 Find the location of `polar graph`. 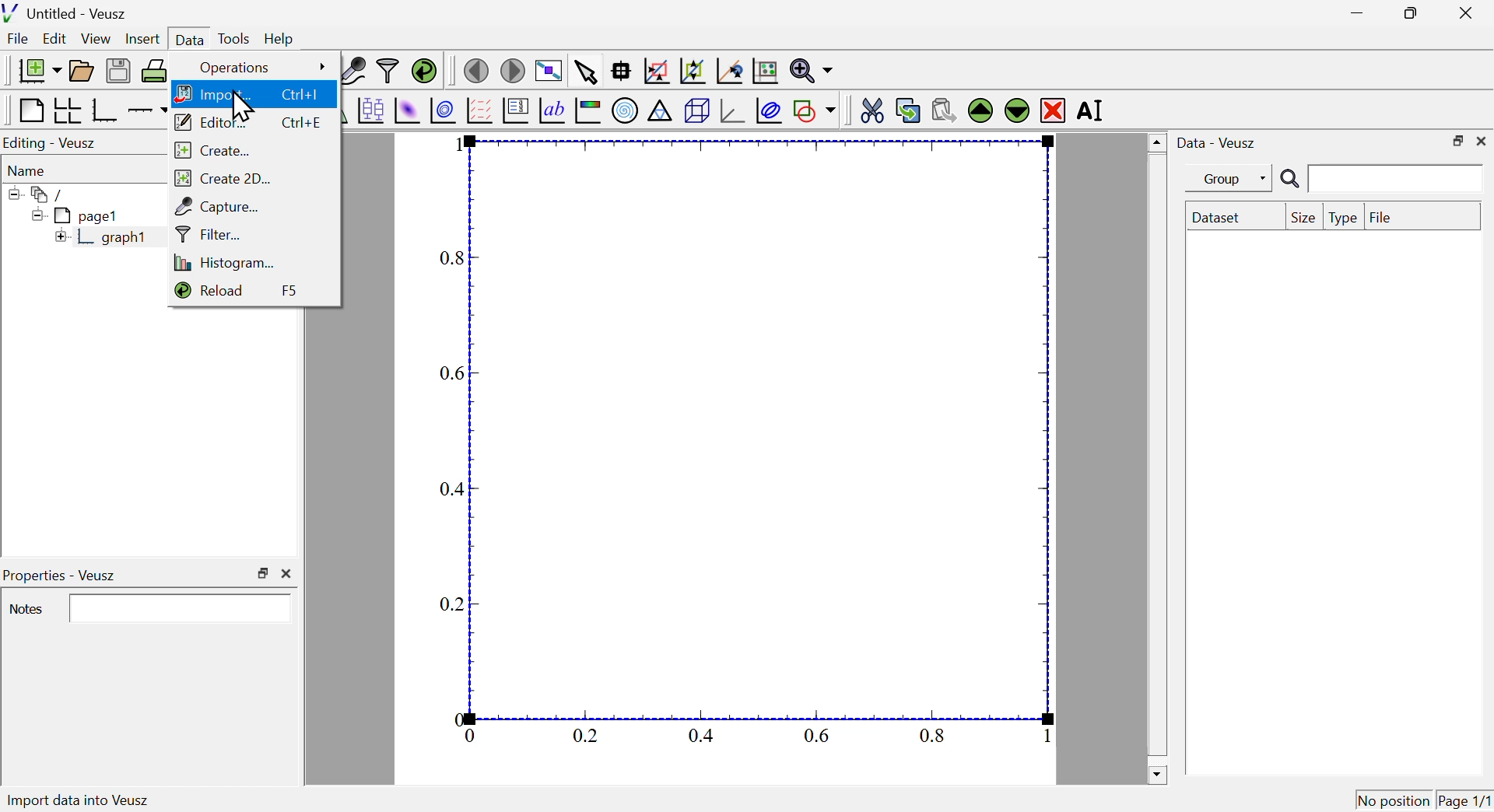

polar graph is located at coordinates (626, 111).